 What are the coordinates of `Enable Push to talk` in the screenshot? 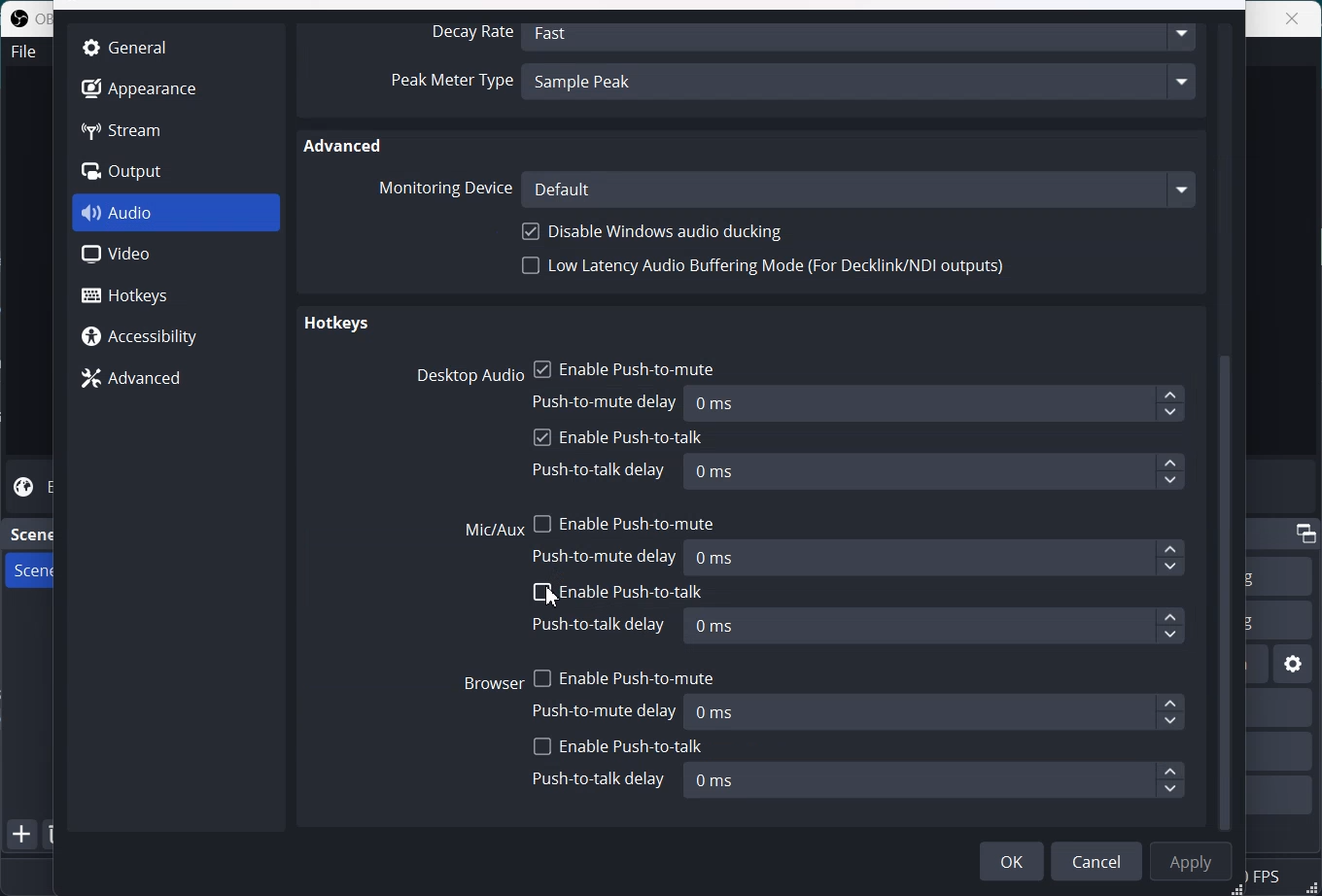 It's located at (619, 438).